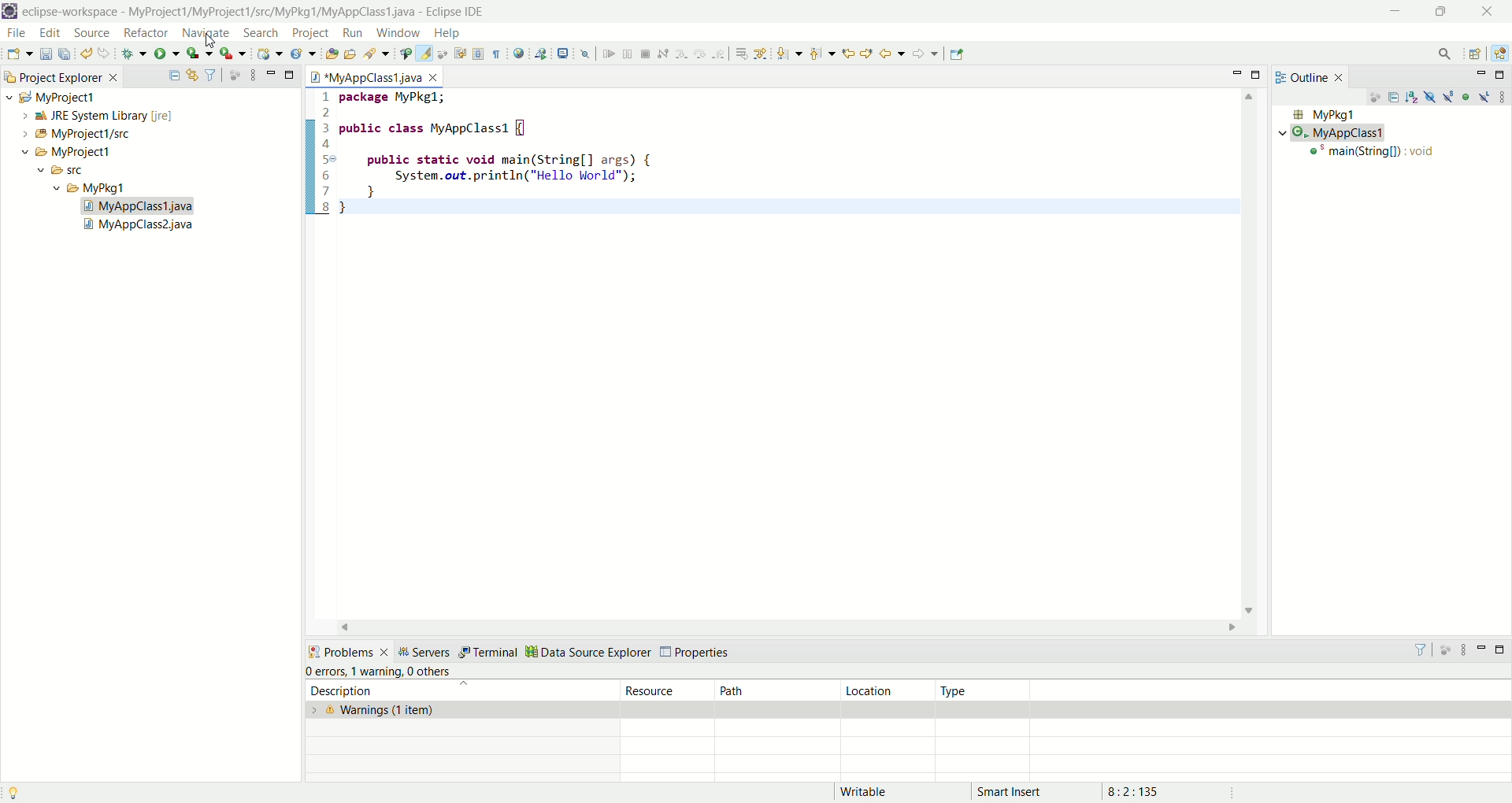 This screenshot has width=1512, height=803. I want to click on maximize, so click(1502, 75).